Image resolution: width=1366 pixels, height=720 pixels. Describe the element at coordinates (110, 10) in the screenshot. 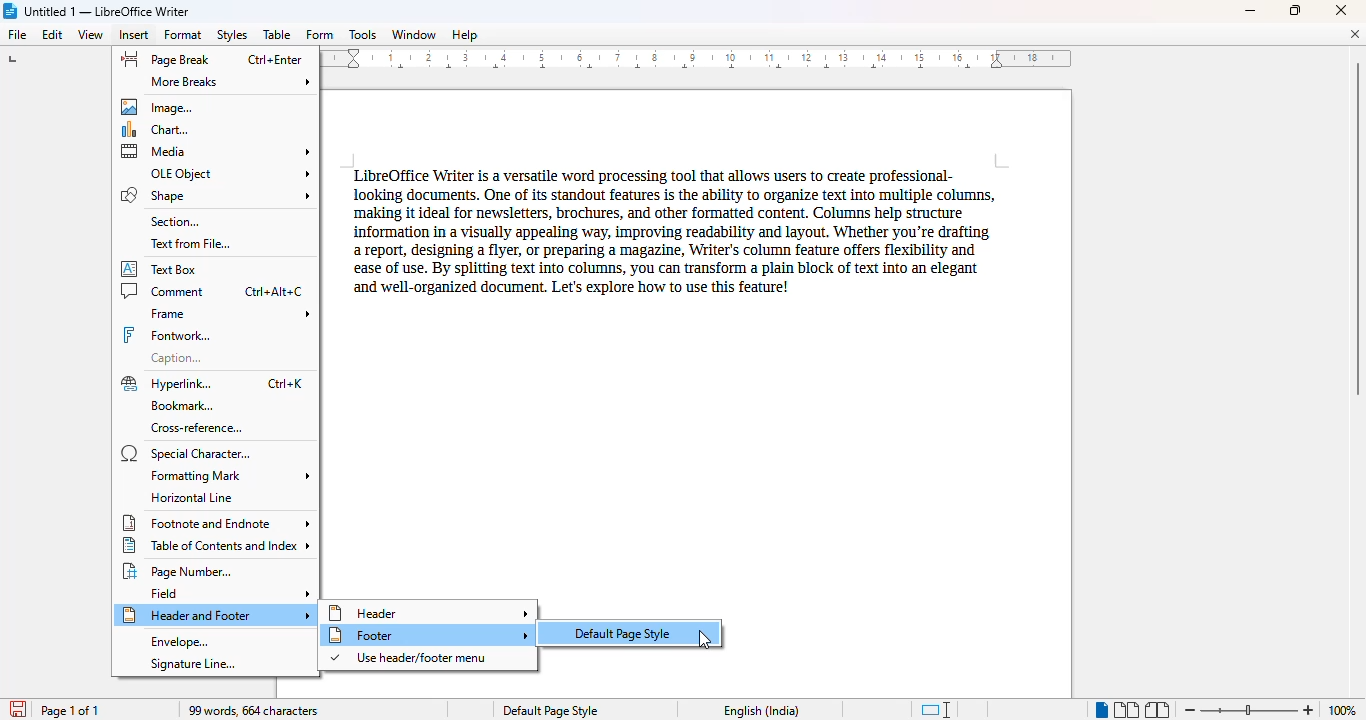

I see `Untitled 1 -- LibreOffice Writer` at that location.